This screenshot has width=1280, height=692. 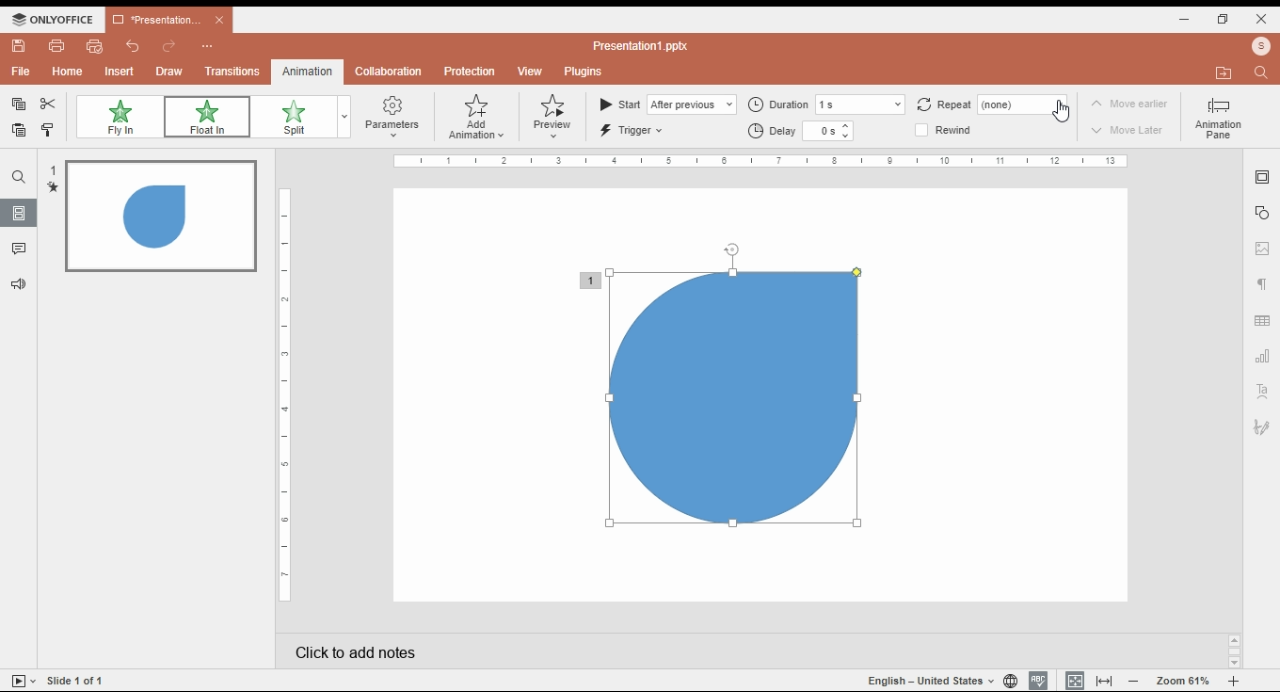 I want to click on copy, so click(x=19, y=105).